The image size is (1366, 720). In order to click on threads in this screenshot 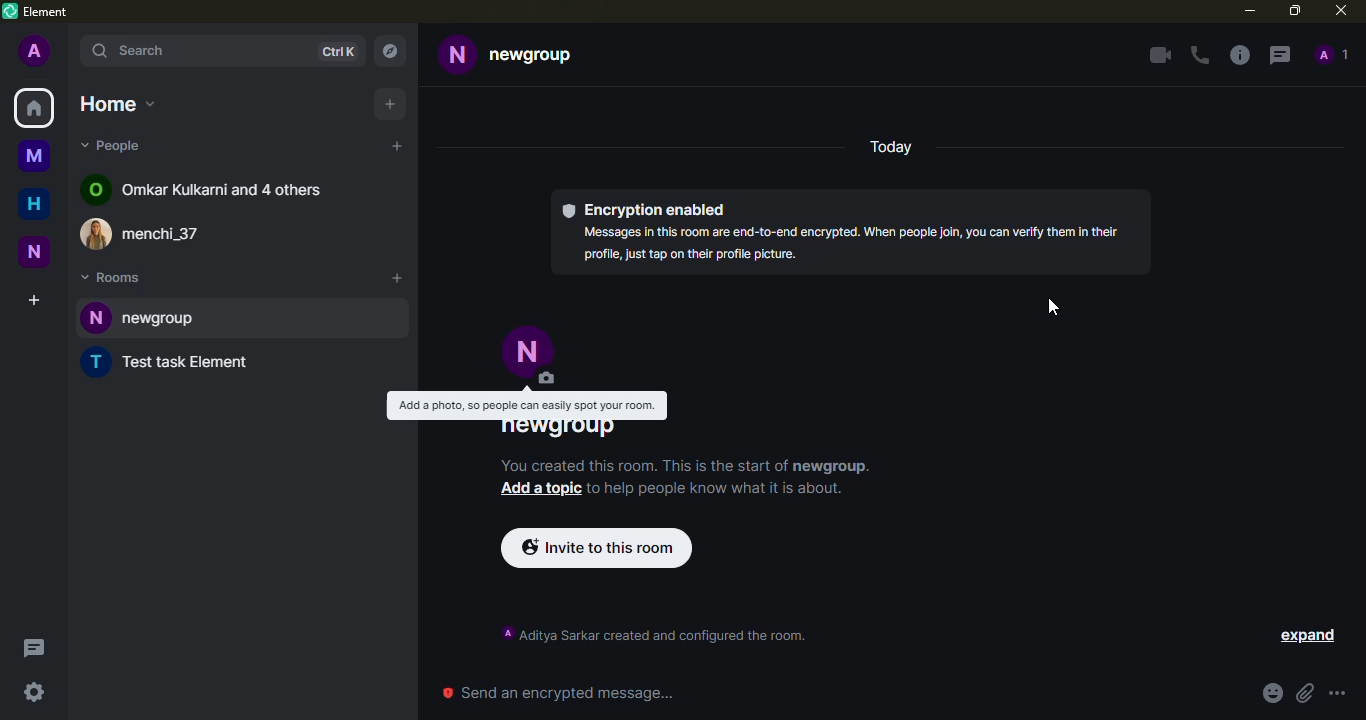, I will do `click(1280, 55)`.